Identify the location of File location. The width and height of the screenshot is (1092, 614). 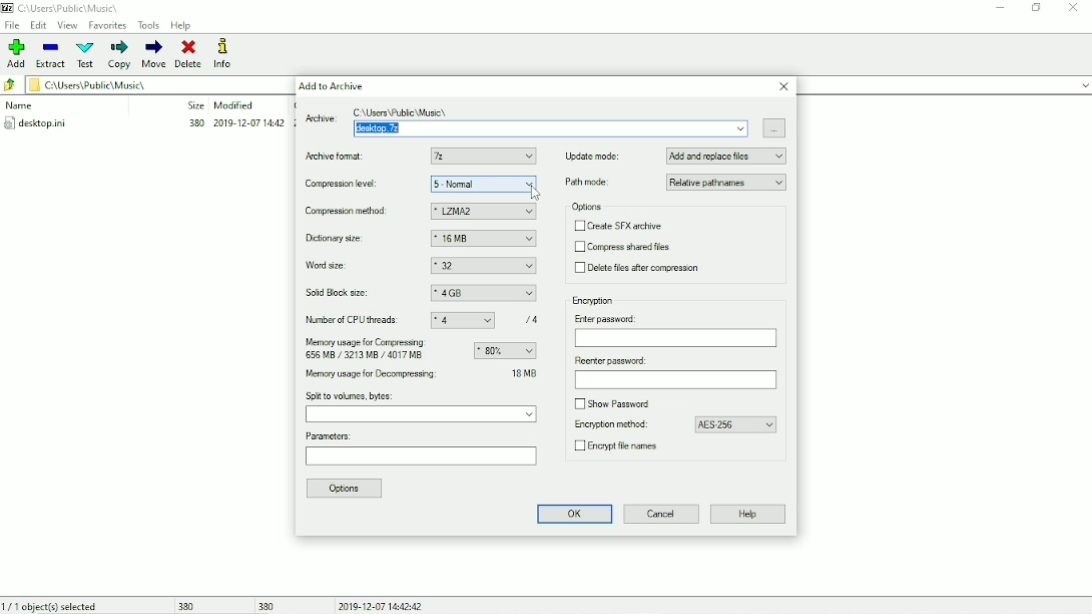
(143, 84).